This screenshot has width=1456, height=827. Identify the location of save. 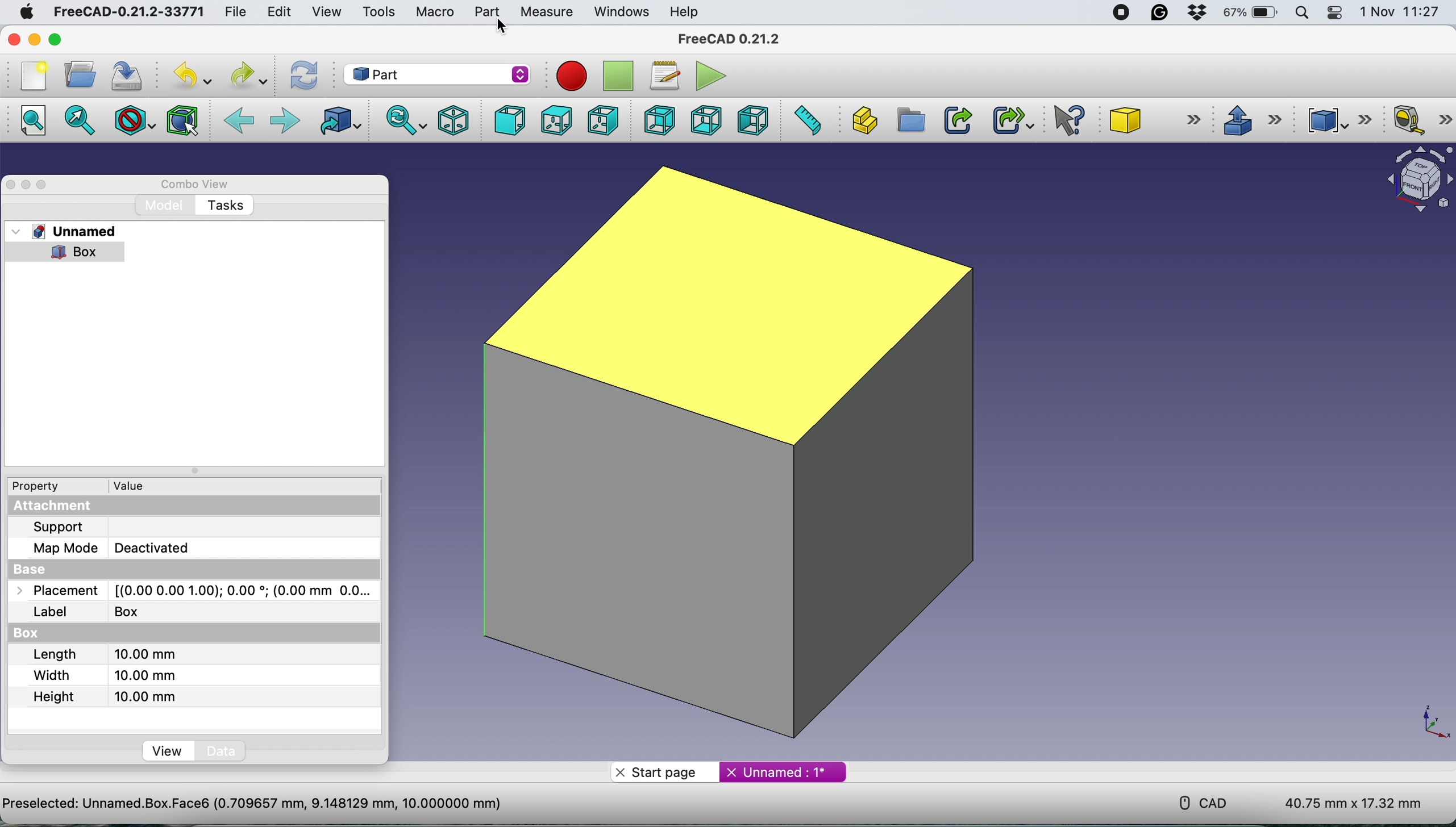
(133, 78).